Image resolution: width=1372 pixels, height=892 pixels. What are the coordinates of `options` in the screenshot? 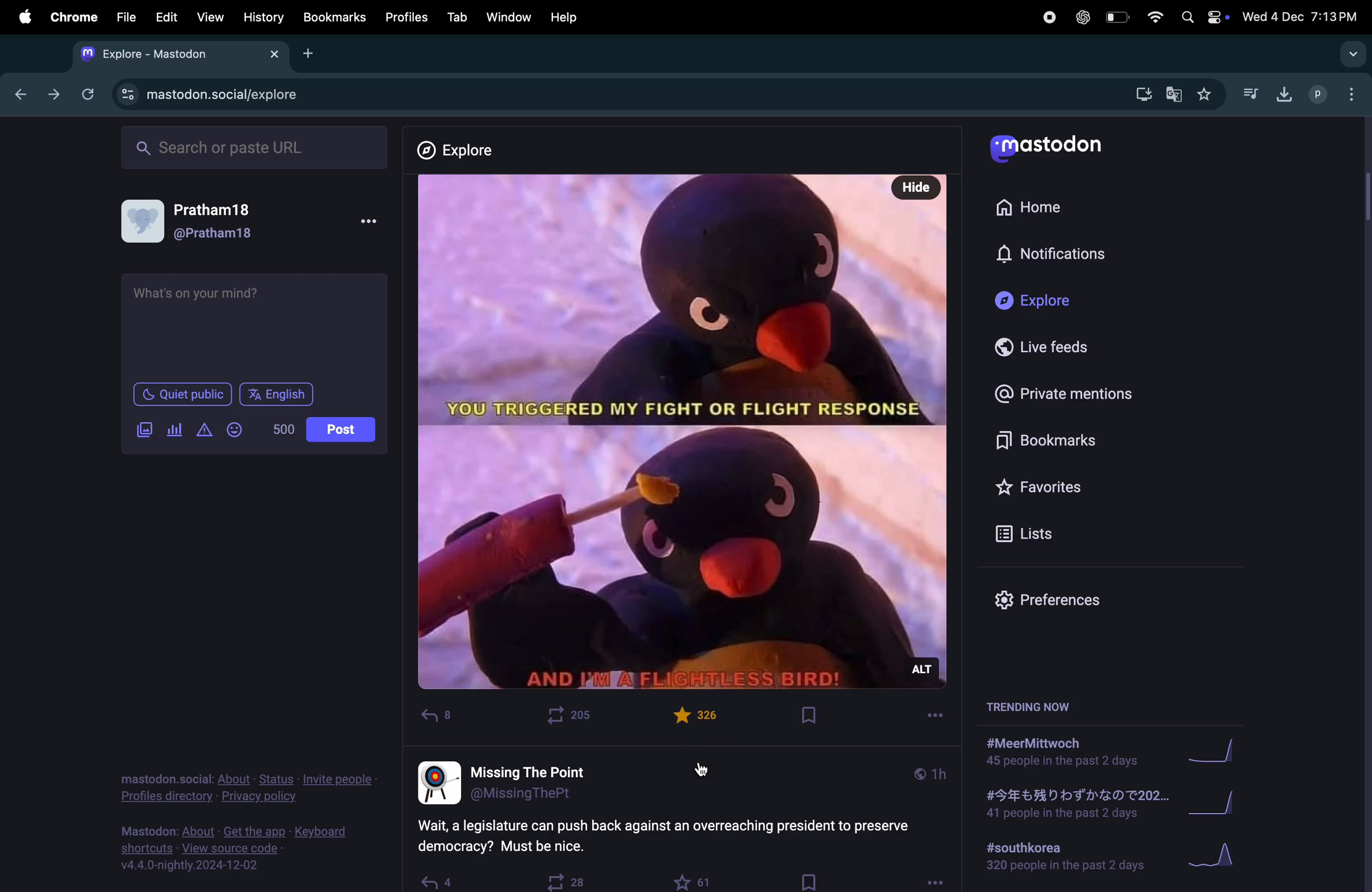 It's located at (934, 881).